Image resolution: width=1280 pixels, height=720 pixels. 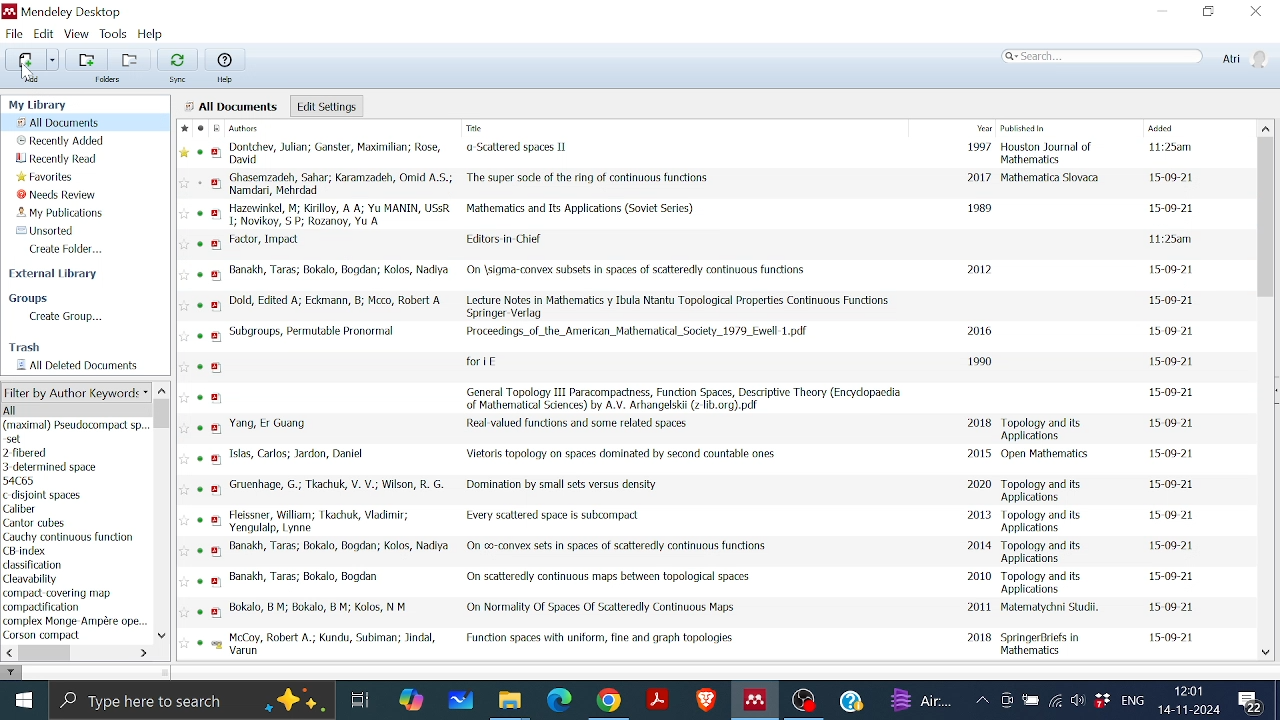 I want to click on pdf, so click(x=216, y=428).